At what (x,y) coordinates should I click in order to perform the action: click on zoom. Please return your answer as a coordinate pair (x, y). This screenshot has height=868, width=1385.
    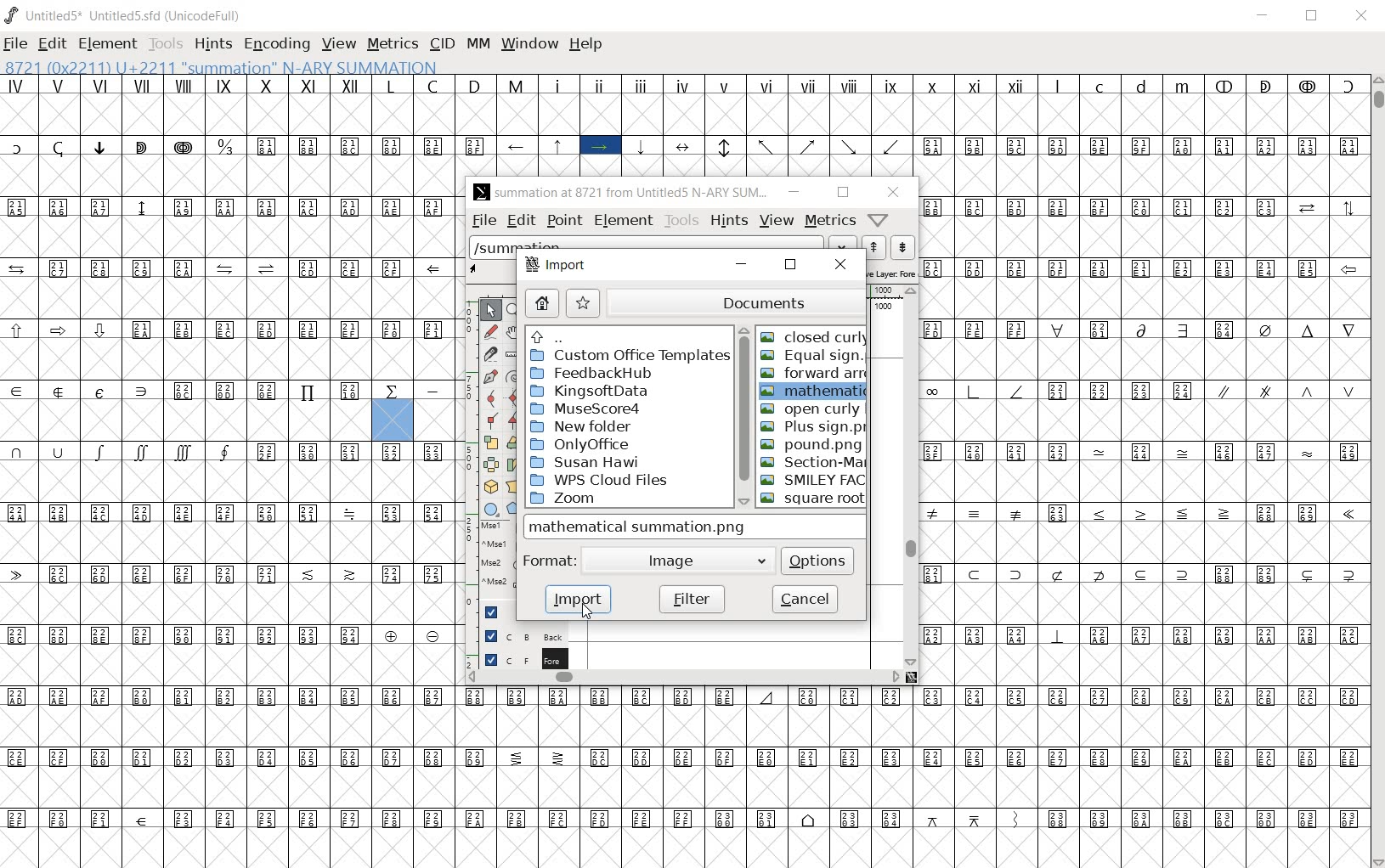
    Looking at the image, I should click on (629, 499).